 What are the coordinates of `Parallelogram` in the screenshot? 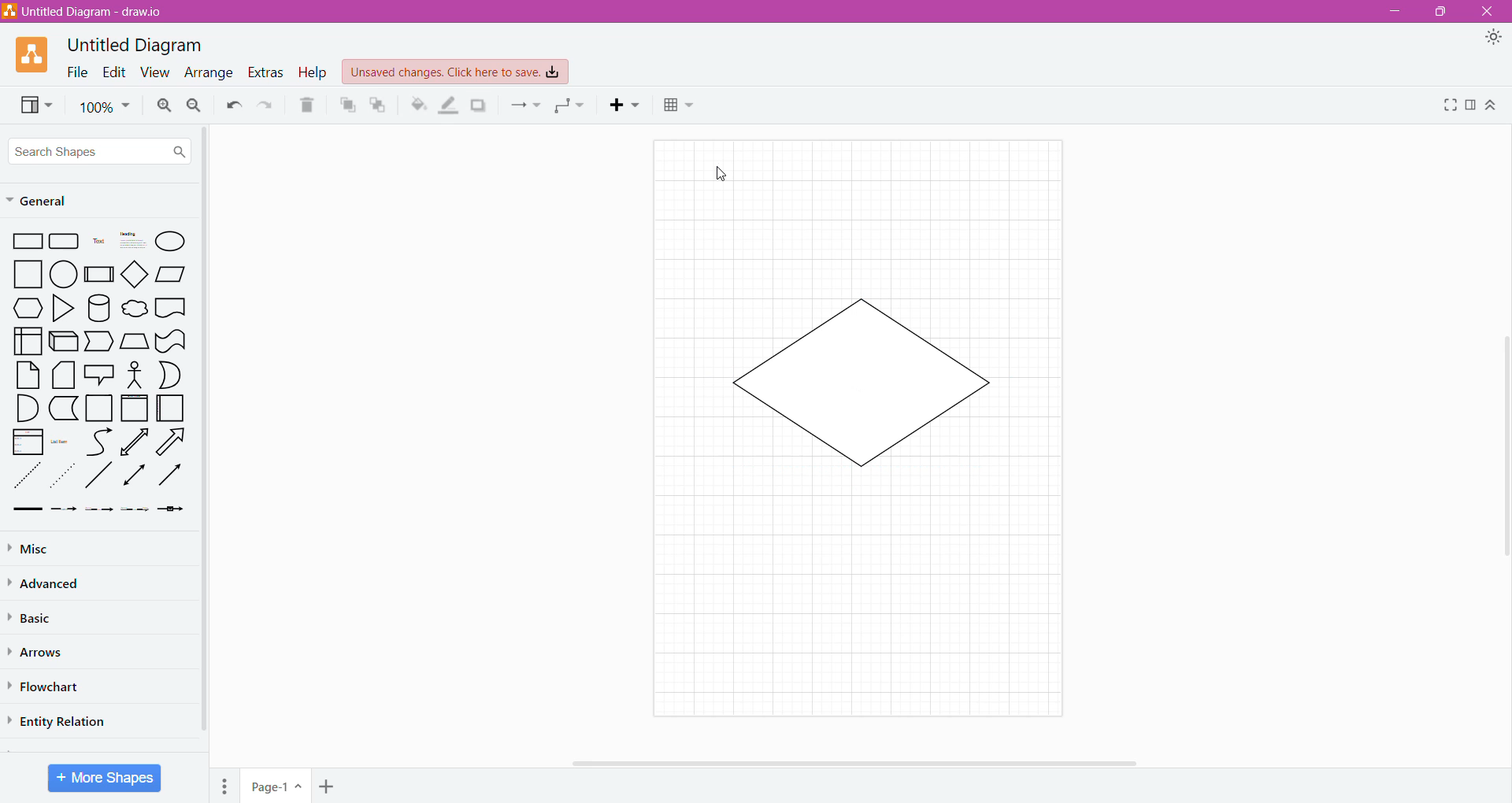 It's located at (172, 274).